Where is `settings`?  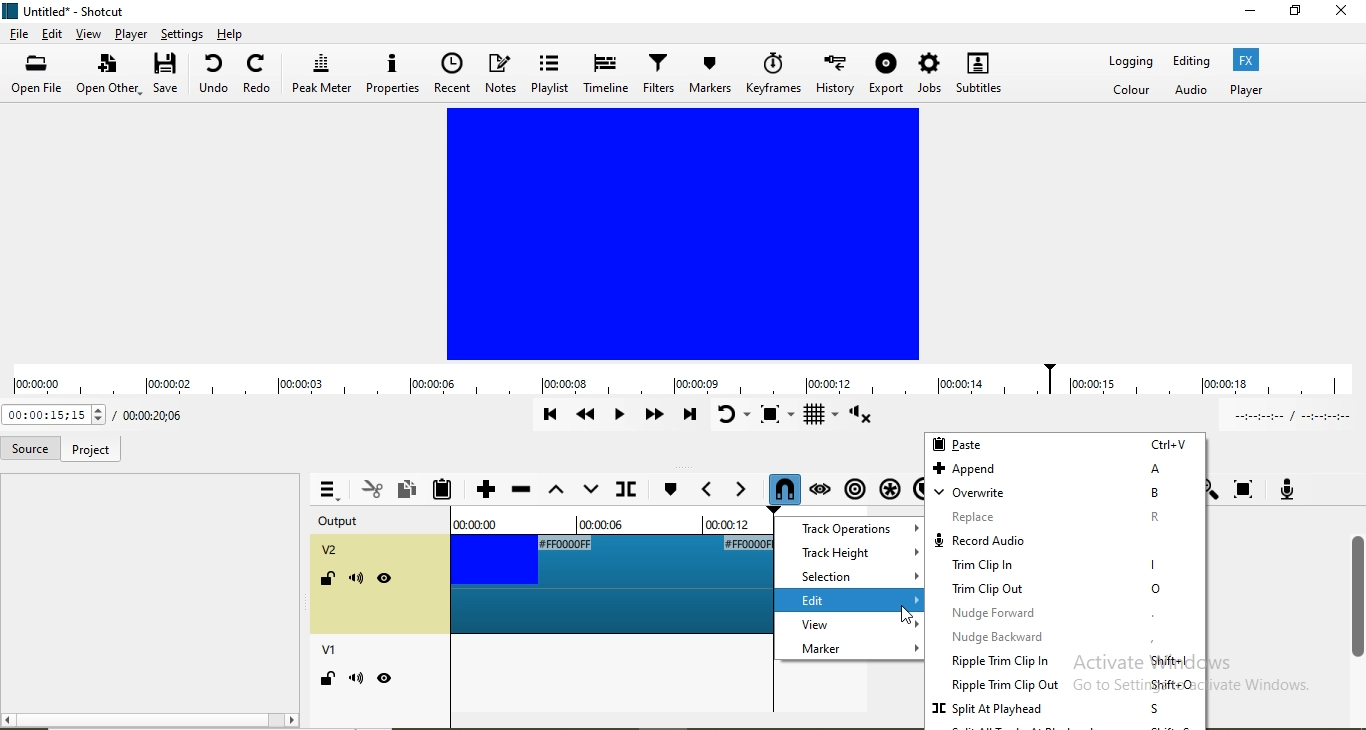 settings is located at coordinates (181, 33).